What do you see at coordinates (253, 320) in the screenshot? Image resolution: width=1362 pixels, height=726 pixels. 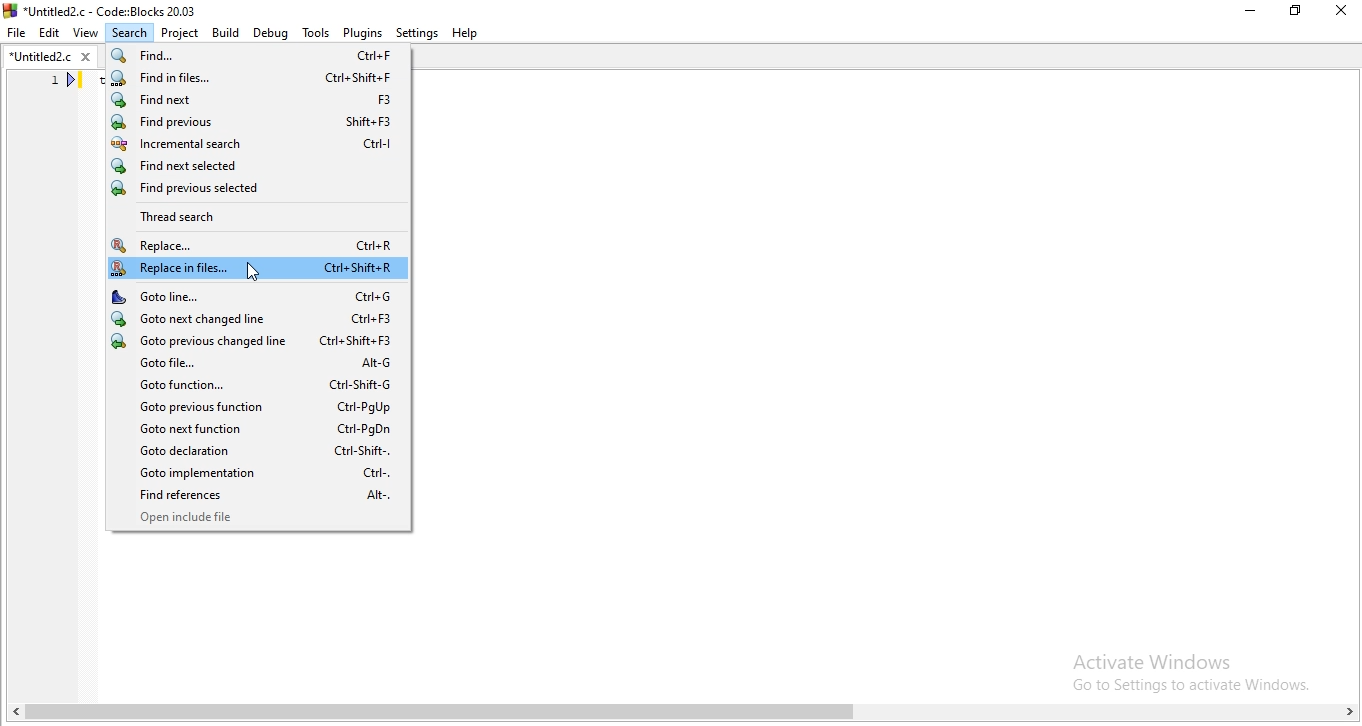 I see `Goto next changed line` at bounding box center [253, 320].